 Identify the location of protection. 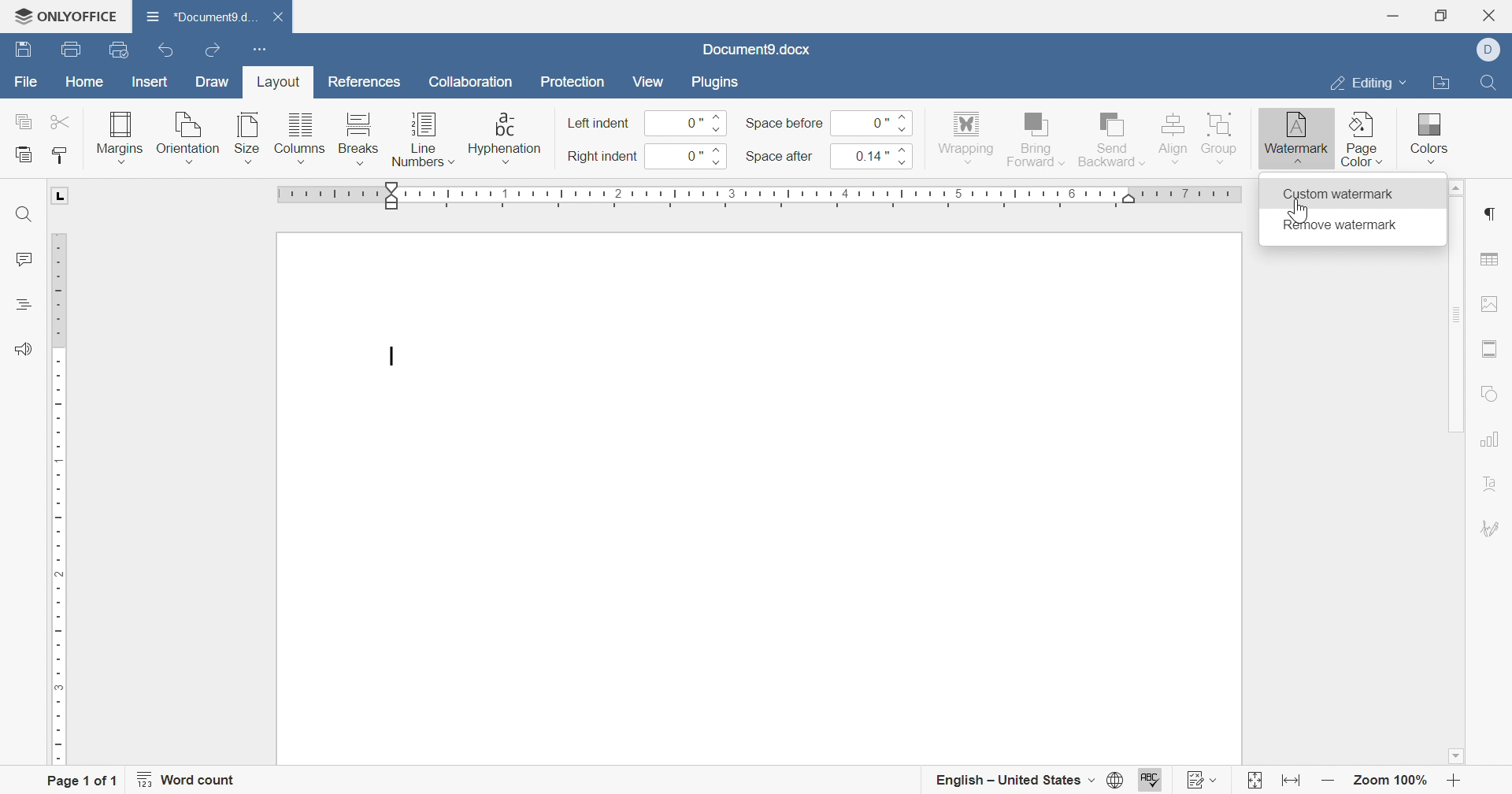
(573, 85).